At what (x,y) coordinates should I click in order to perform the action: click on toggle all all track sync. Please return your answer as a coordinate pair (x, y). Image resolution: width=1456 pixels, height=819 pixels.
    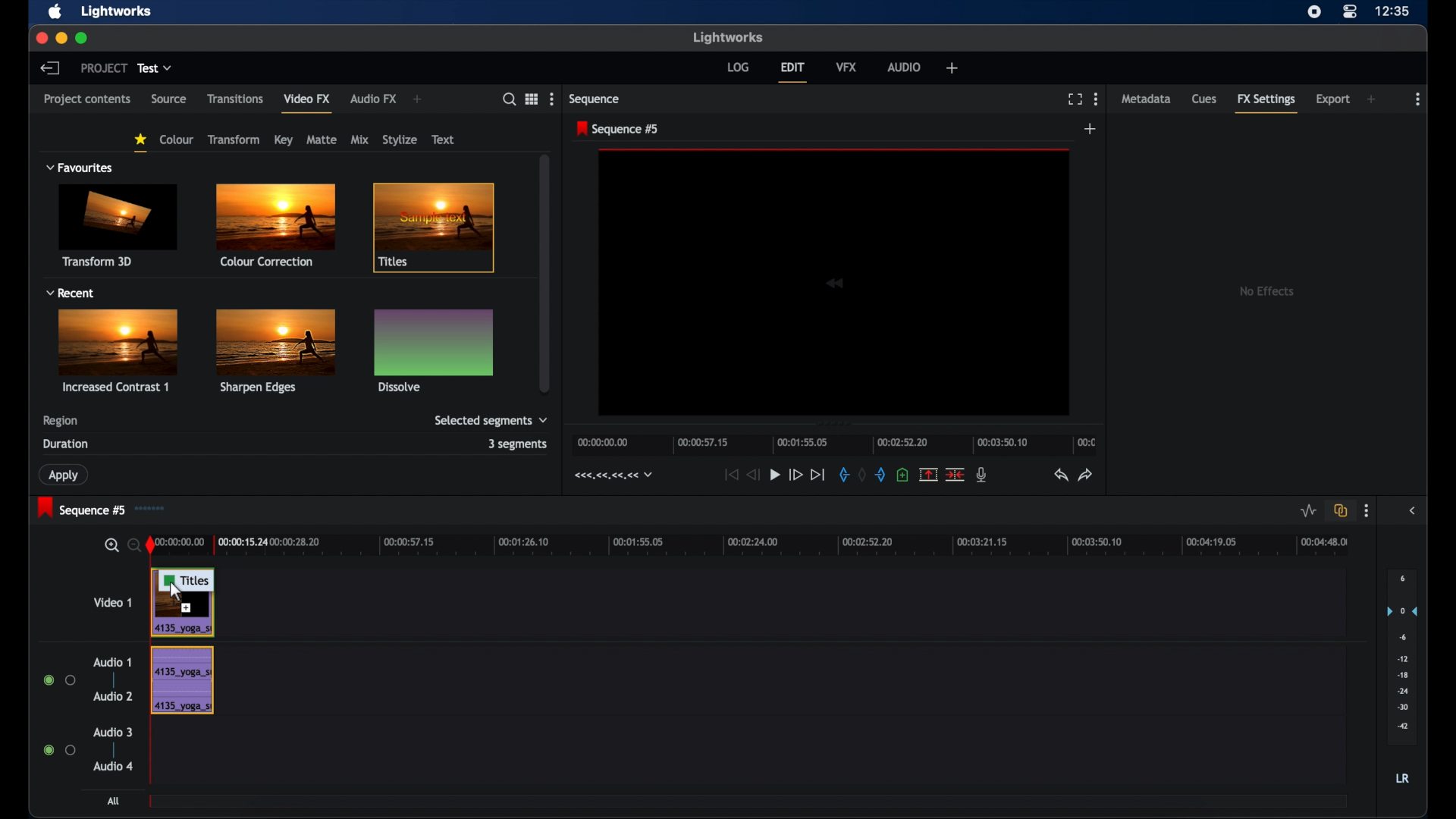
    Looking at the image, I should click on (1338, 511).